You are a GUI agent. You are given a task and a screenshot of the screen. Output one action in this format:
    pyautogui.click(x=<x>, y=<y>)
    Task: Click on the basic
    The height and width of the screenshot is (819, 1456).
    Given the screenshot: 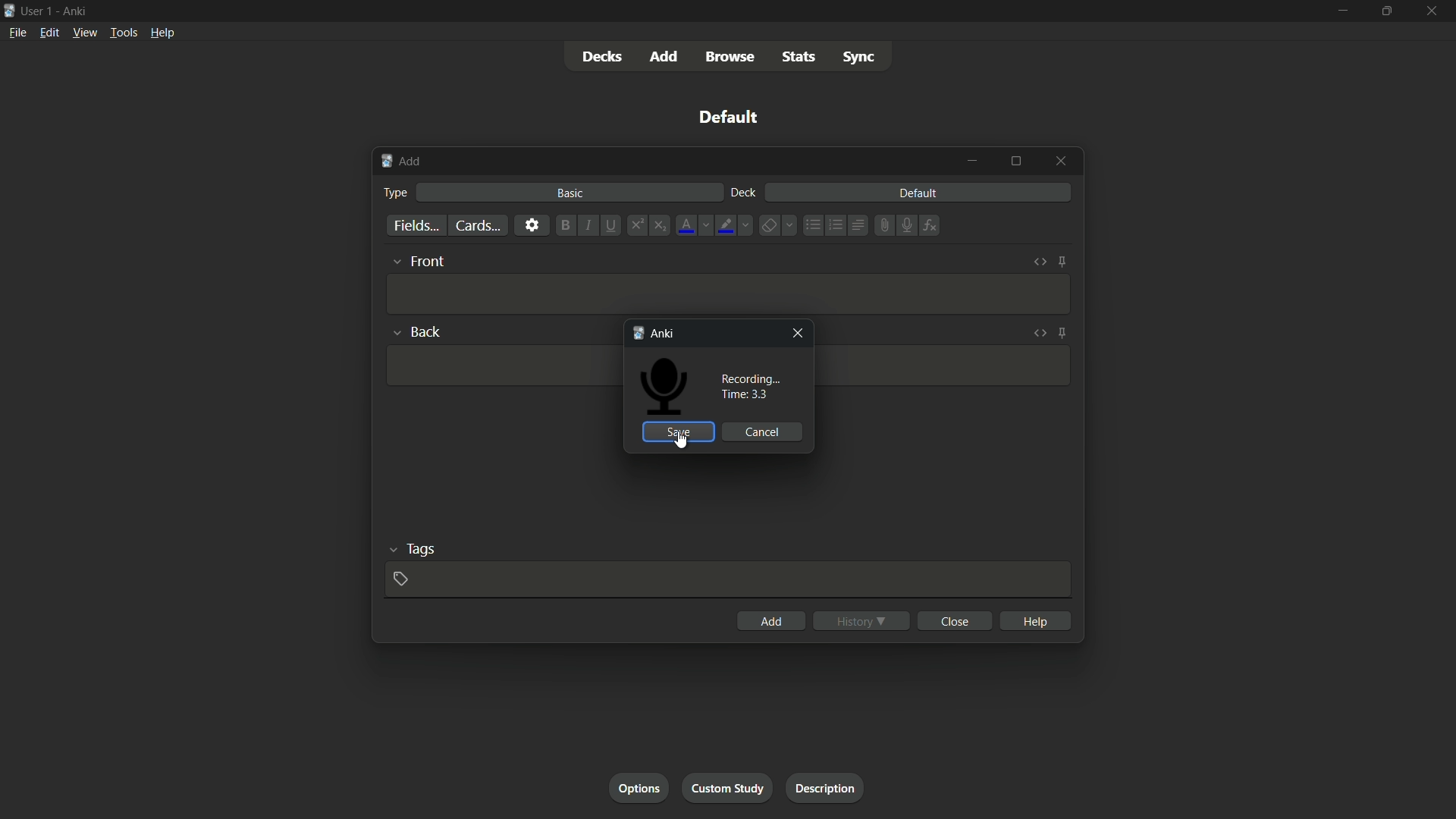 What is the action you would take?
    pyautogui.click(x=570, y=193)
    